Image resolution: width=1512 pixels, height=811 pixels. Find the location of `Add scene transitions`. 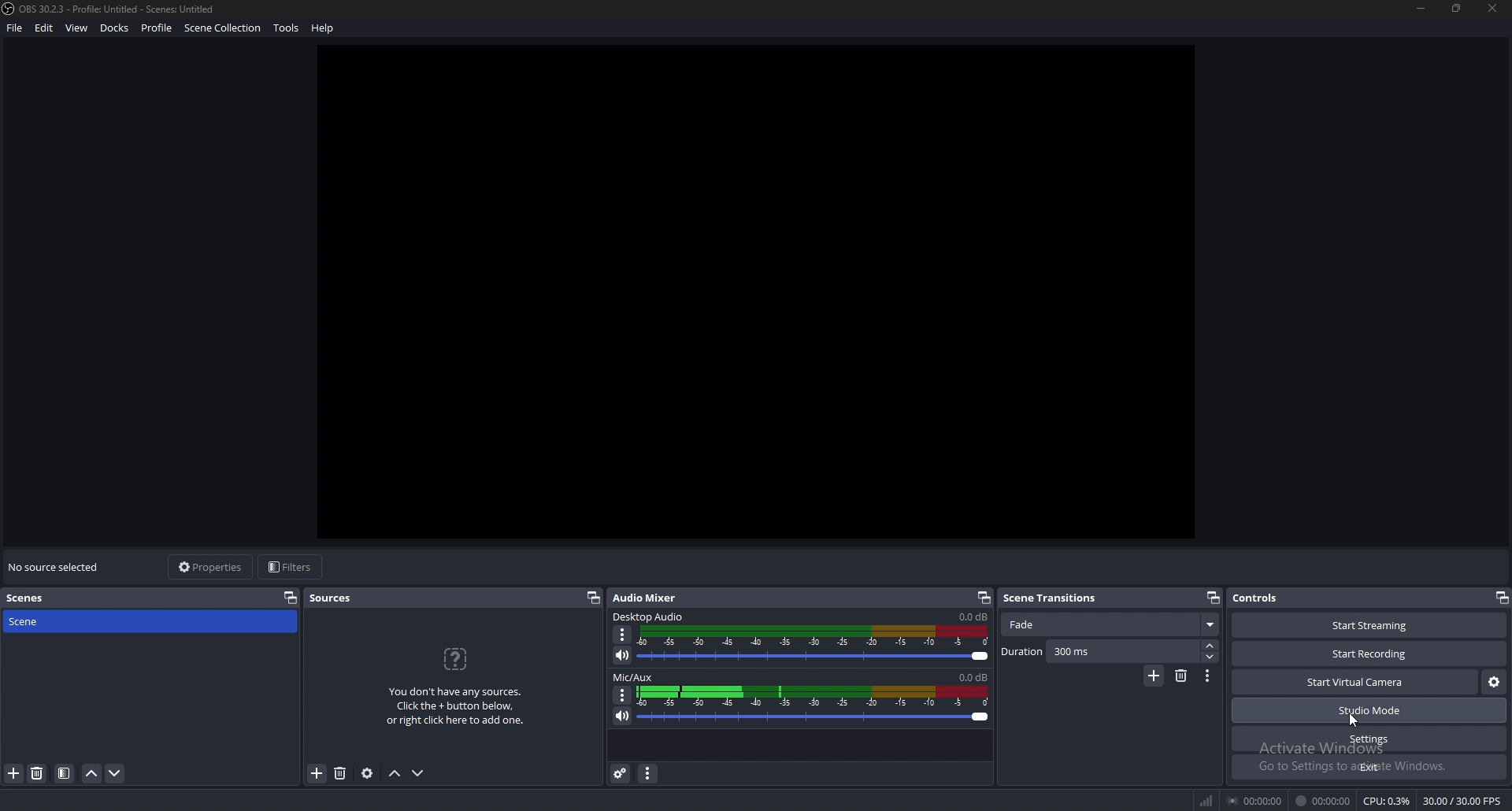

Add scene transitions is located at coordinates (1153, 676).